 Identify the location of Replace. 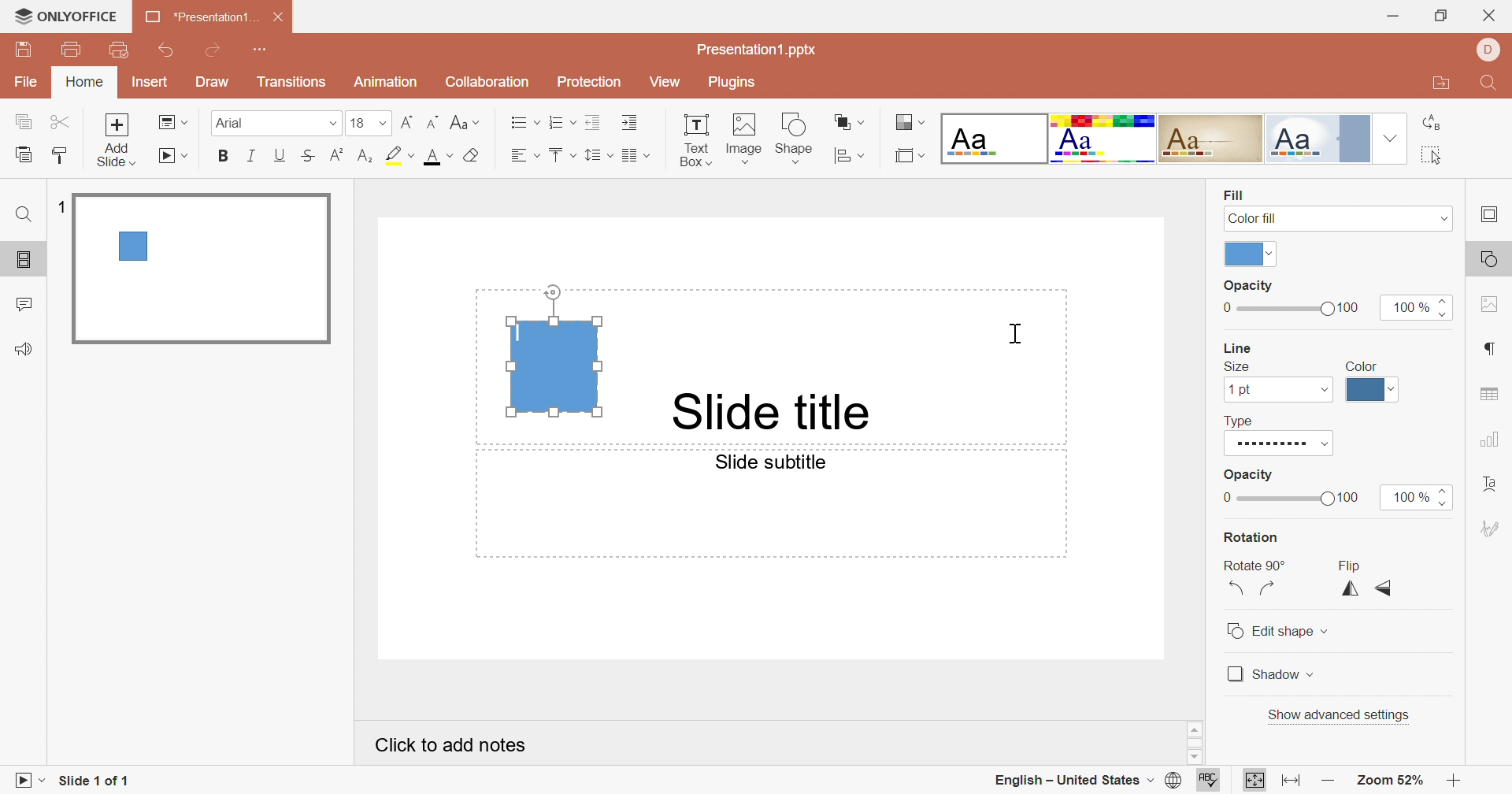
(1430, 118).